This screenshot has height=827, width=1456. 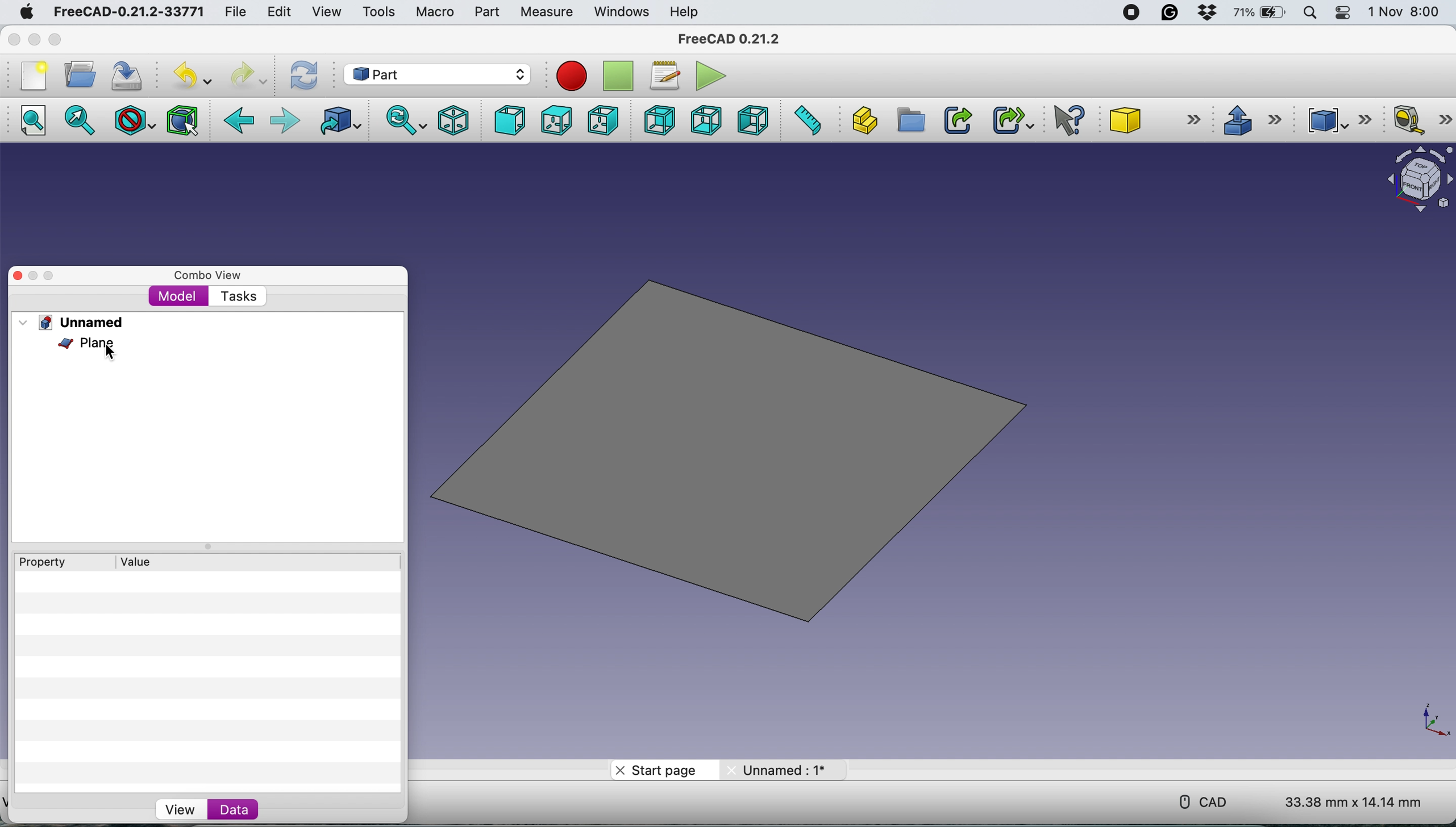 I want to click on sync view, so click(x=409, y=123).